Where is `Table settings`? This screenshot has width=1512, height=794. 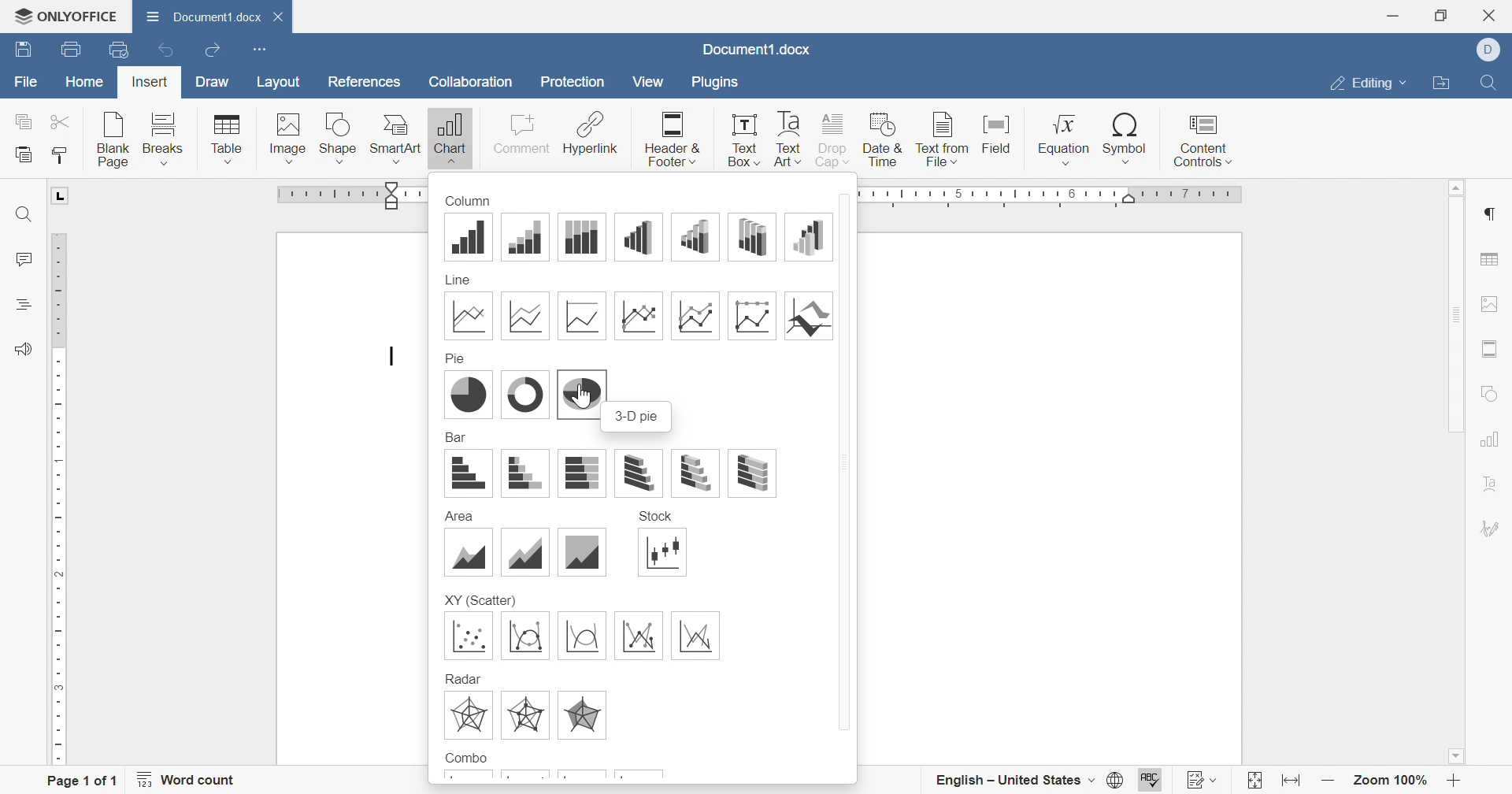 Table settings is located at coordinates (1493, 257).